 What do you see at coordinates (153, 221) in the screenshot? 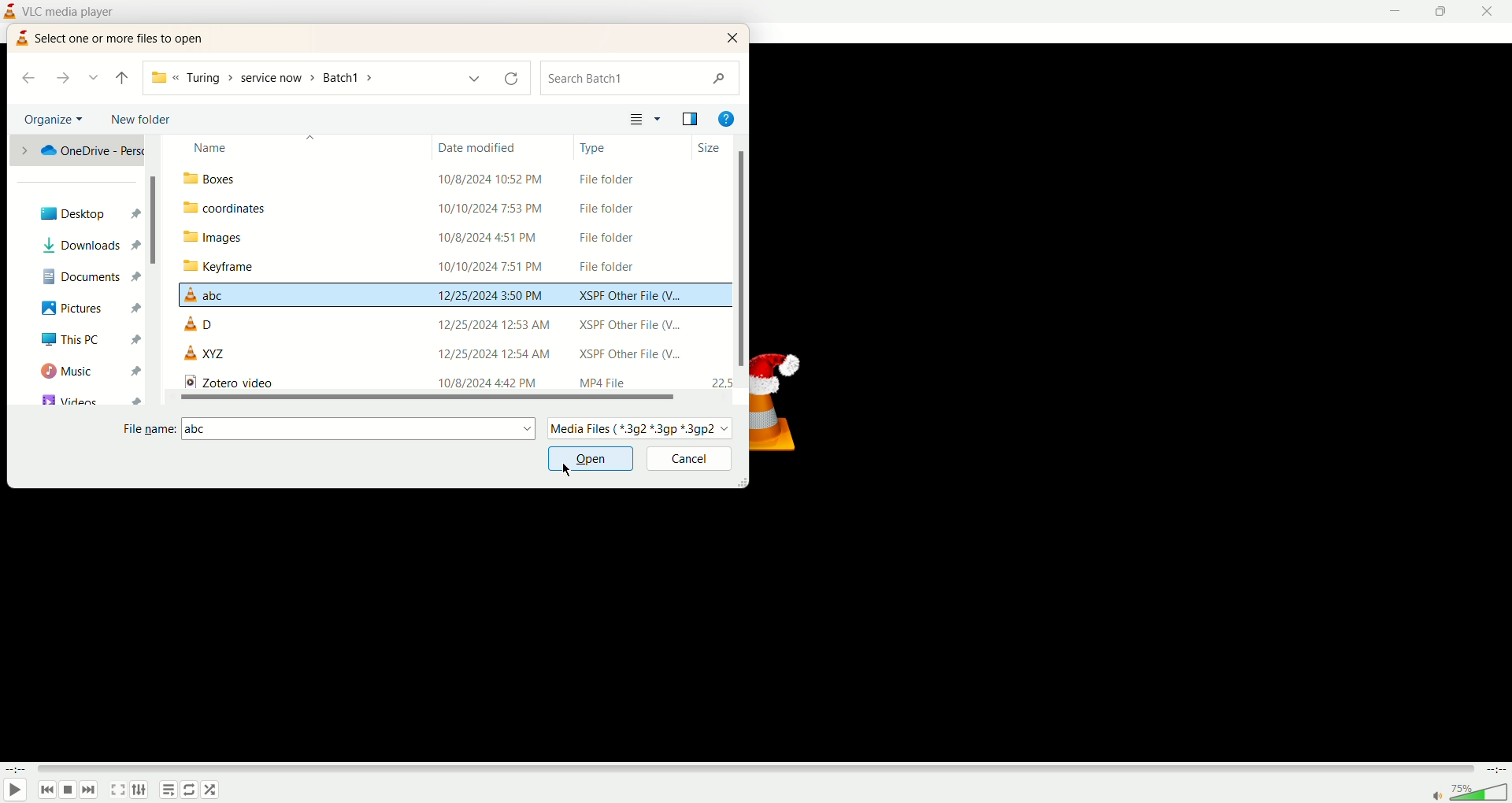
I see `vertical scroll bar` at bounding box center [153, 221].